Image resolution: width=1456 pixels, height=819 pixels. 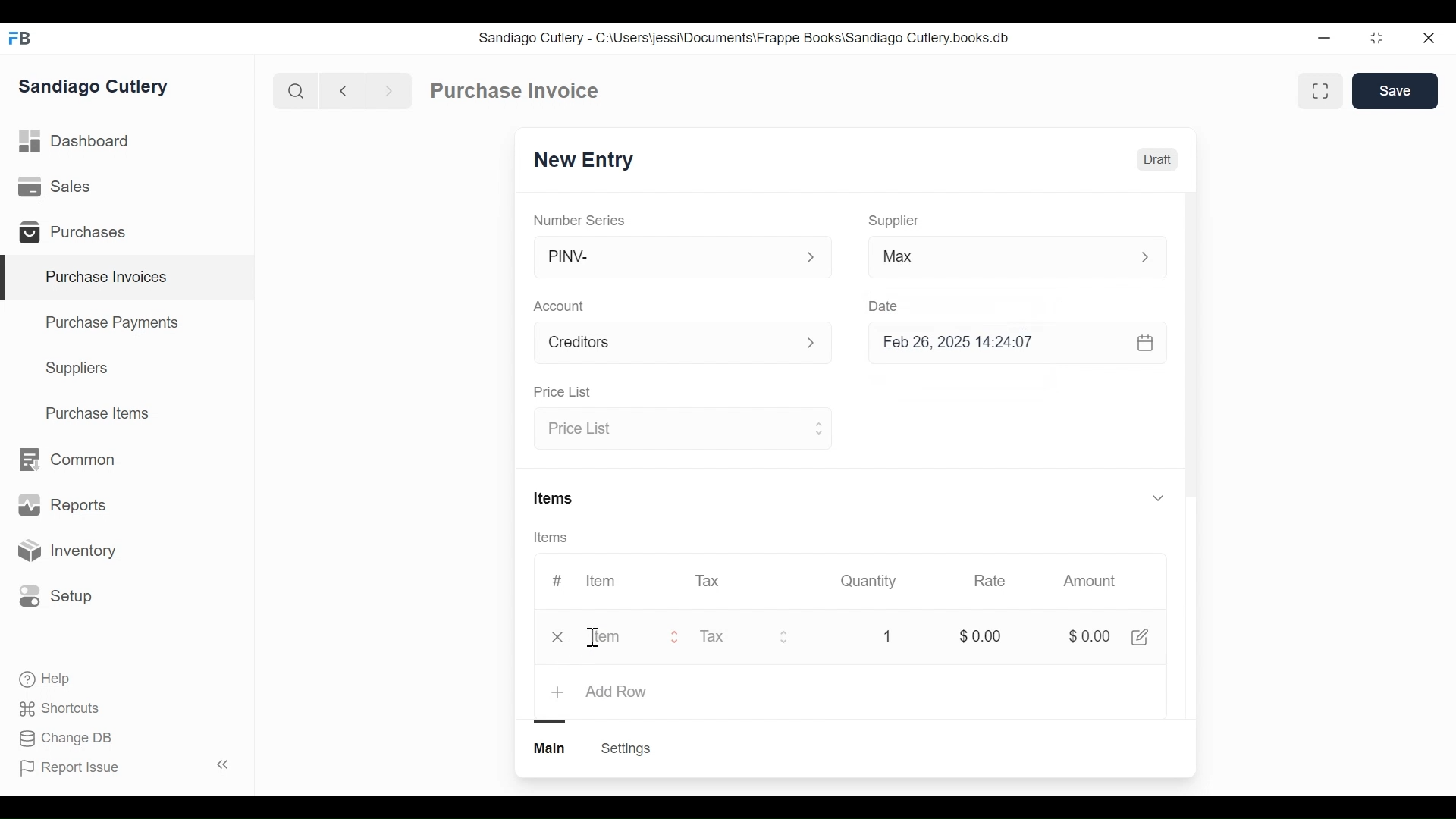 What do you see at coordinates (588, 161) in the screenshot?
I see `New Entry` at bounding box center [588, 161].